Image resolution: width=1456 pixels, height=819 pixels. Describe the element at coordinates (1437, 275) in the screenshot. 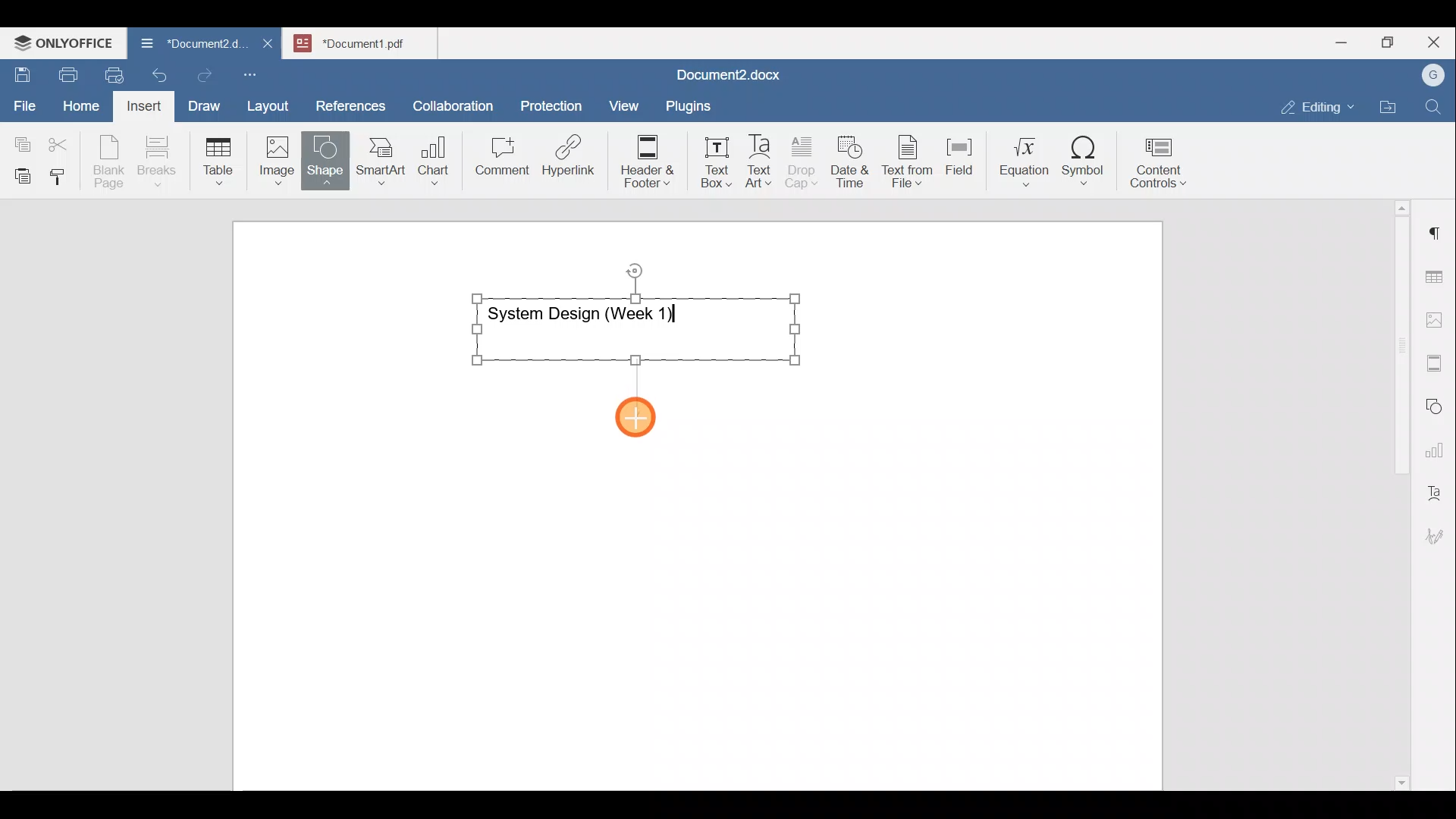

I see `Table settings` at that location.